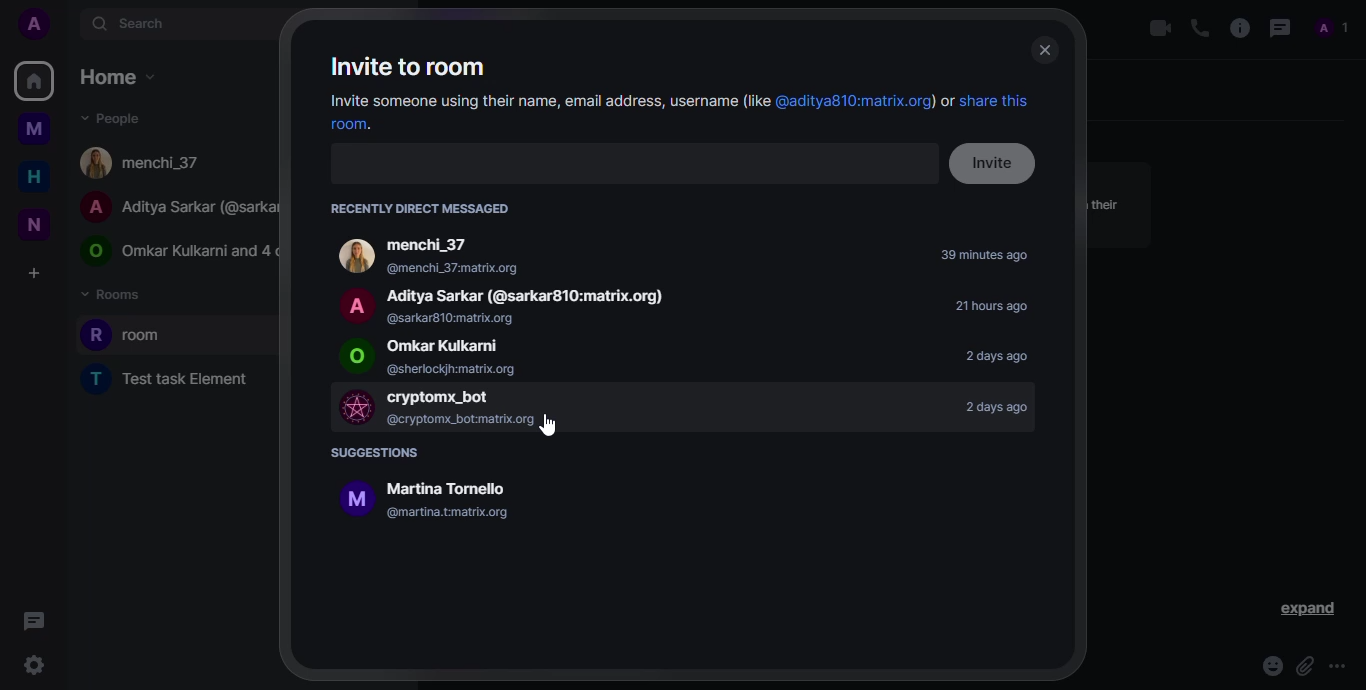 This screenshot has width=1366, height=690. I want to click on quick settings, so click(35, 664).